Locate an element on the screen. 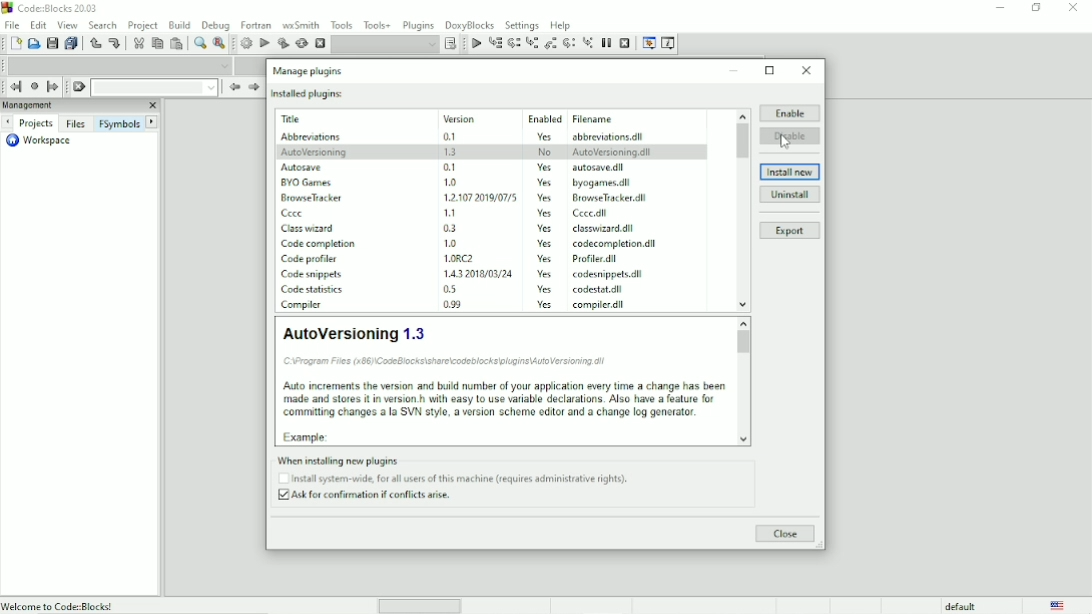  Yes is located at coordinates (548, 245).